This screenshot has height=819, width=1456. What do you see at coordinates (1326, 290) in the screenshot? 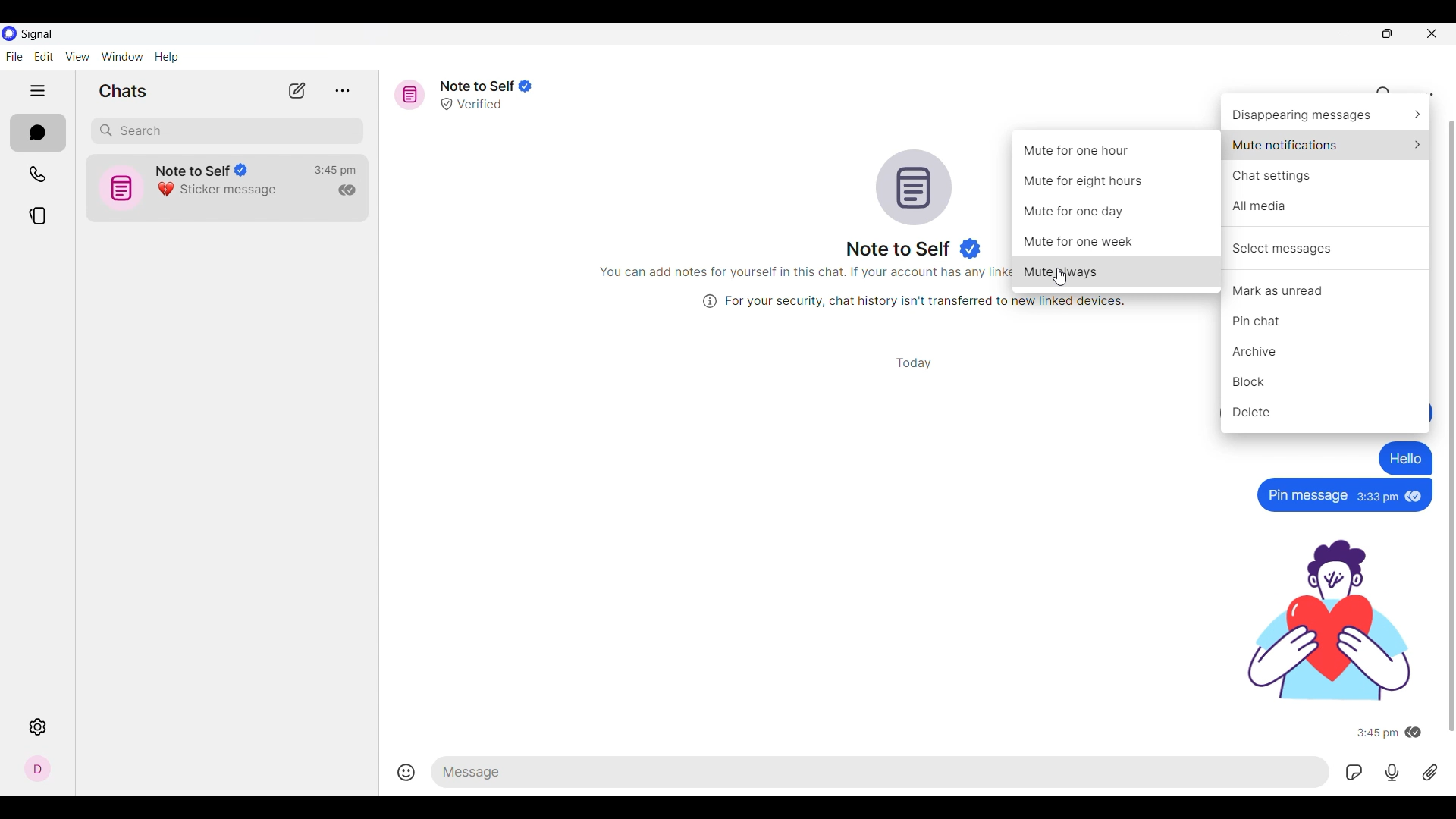
I see `Mark as uread` at bounding box center [1326, 290].